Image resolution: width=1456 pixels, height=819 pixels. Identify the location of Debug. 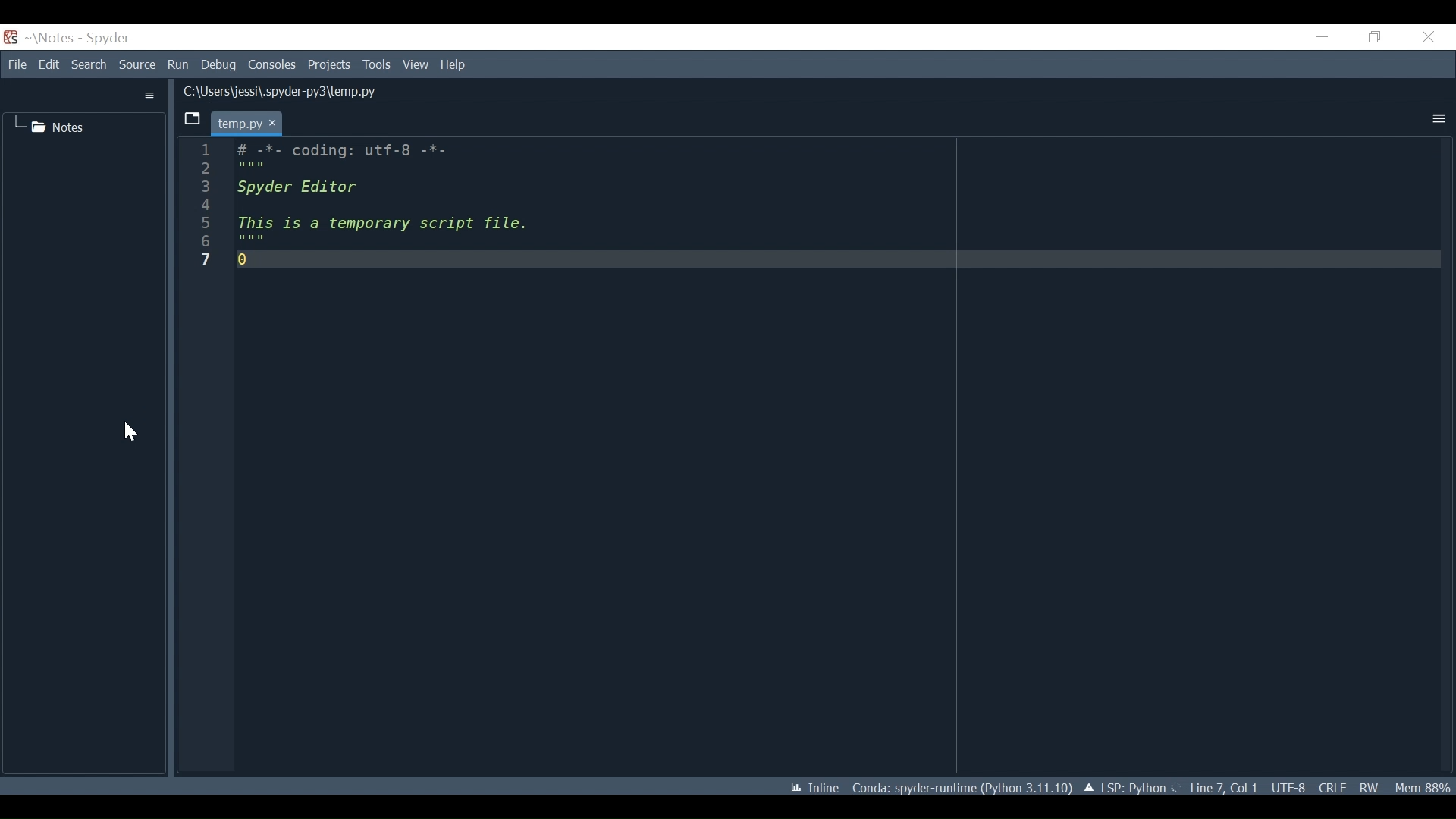
(218, 65).